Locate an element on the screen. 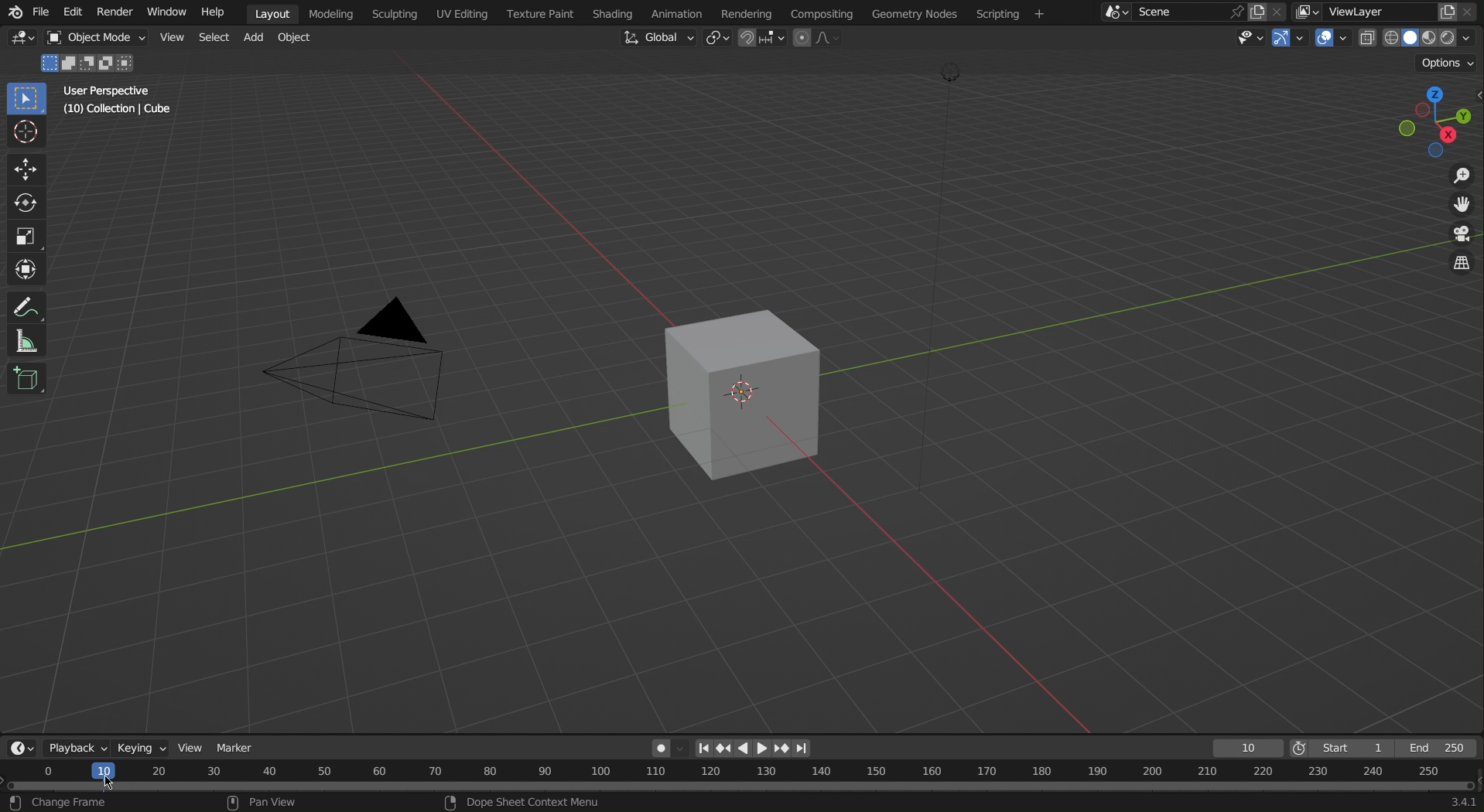 The height and width of the screenshot is (812, 1484). frame 10 is located at coordinates (1250, 748).